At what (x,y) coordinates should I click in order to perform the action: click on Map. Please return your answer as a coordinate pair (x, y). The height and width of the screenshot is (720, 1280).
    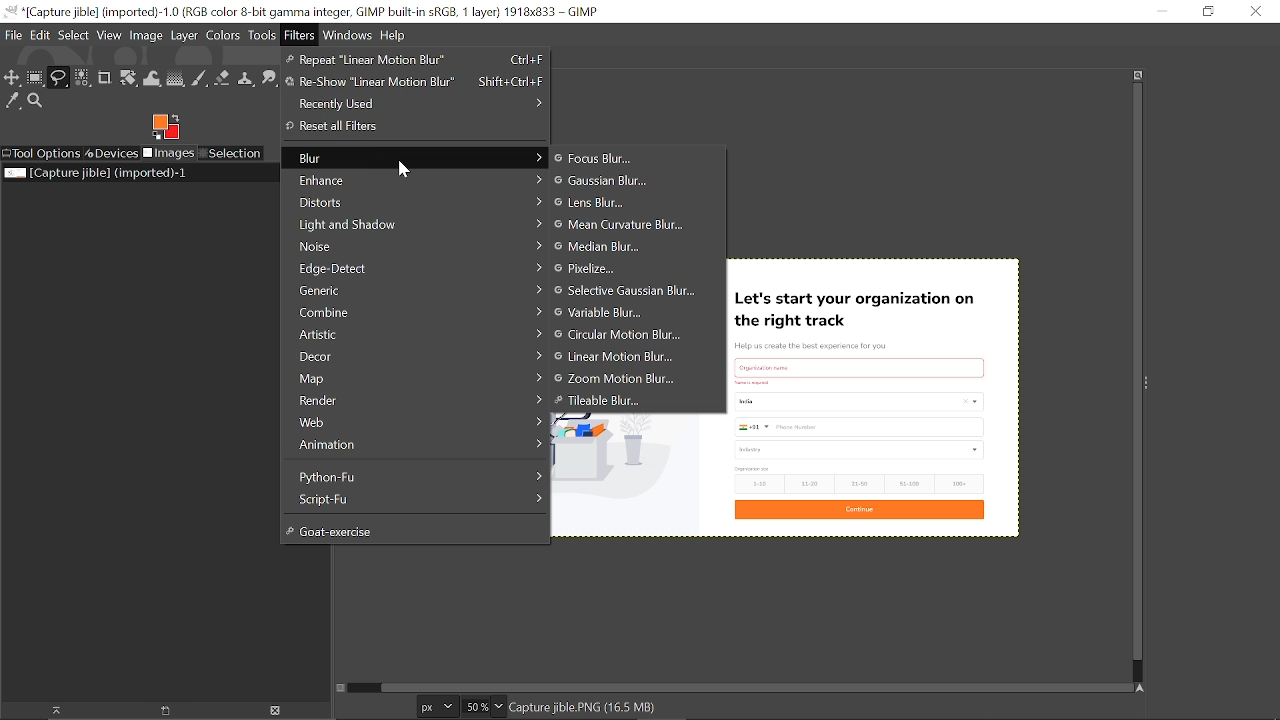
    Looking at the image, I should click on (412, 378).